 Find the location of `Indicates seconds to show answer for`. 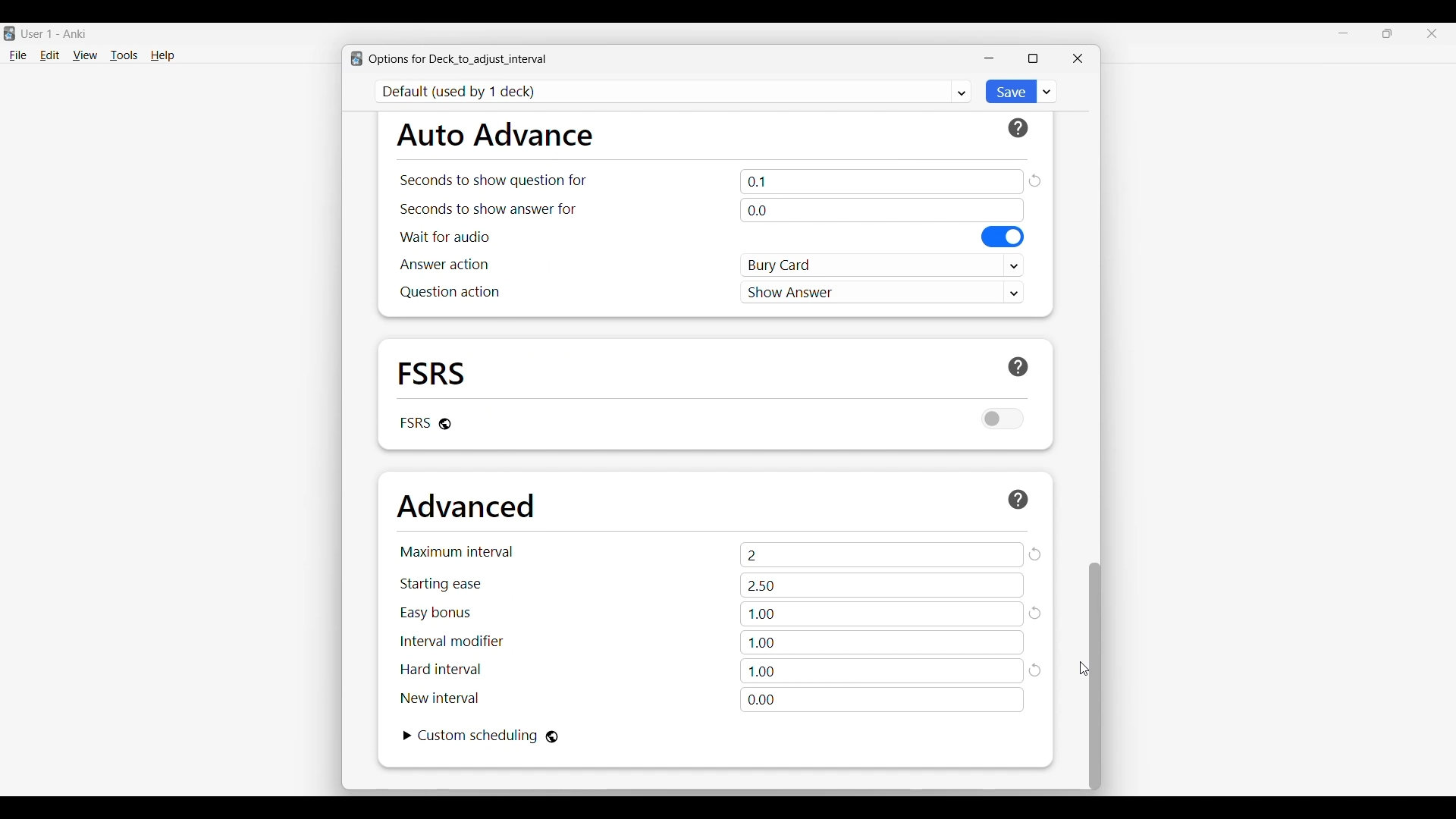

Indicates seconds to show answer for is located at coordinates (488, 209).